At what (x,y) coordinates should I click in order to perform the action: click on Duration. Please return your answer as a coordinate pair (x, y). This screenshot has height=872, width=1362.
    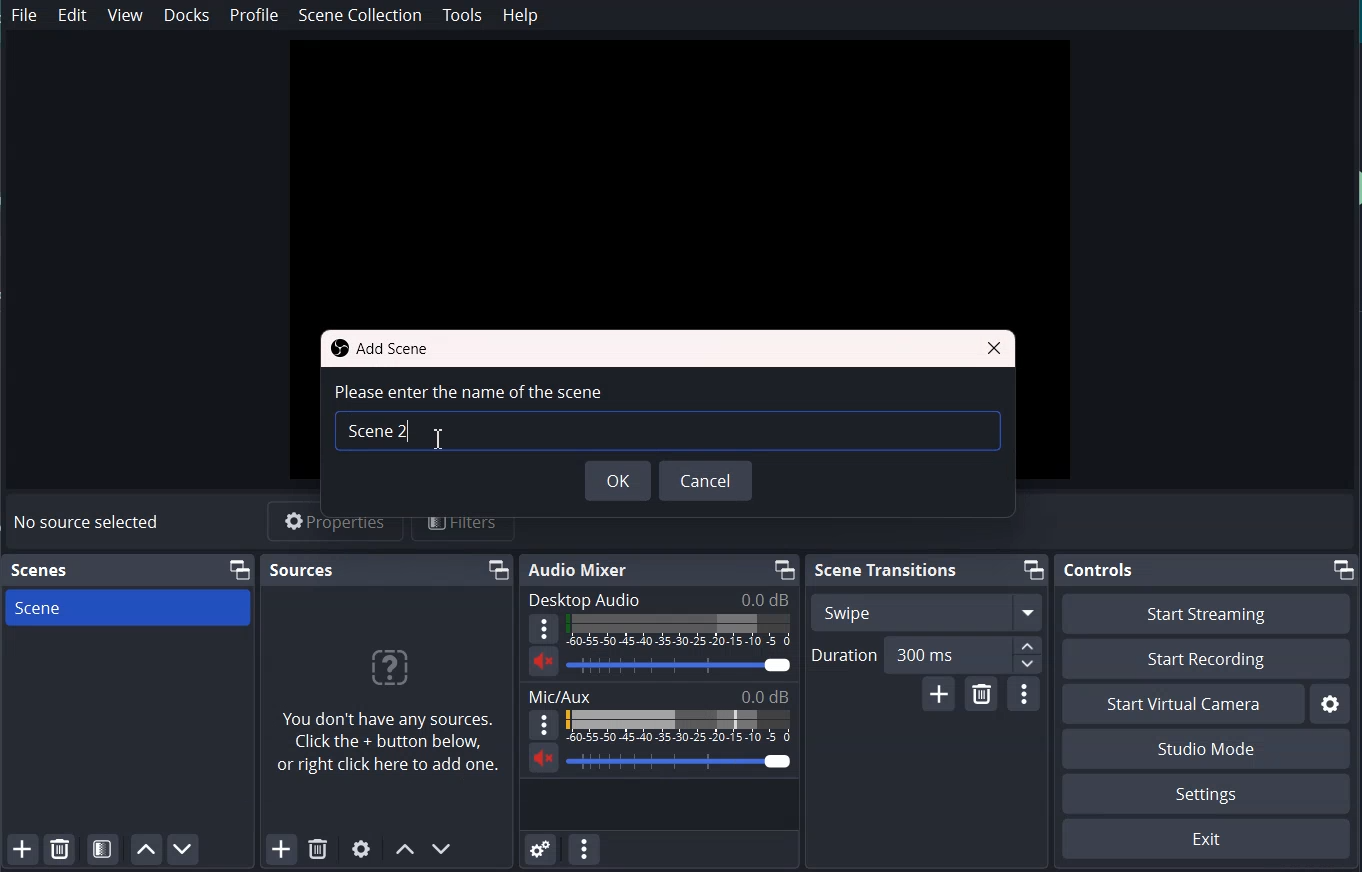
    Looking at the image, I should click on (926, 655).